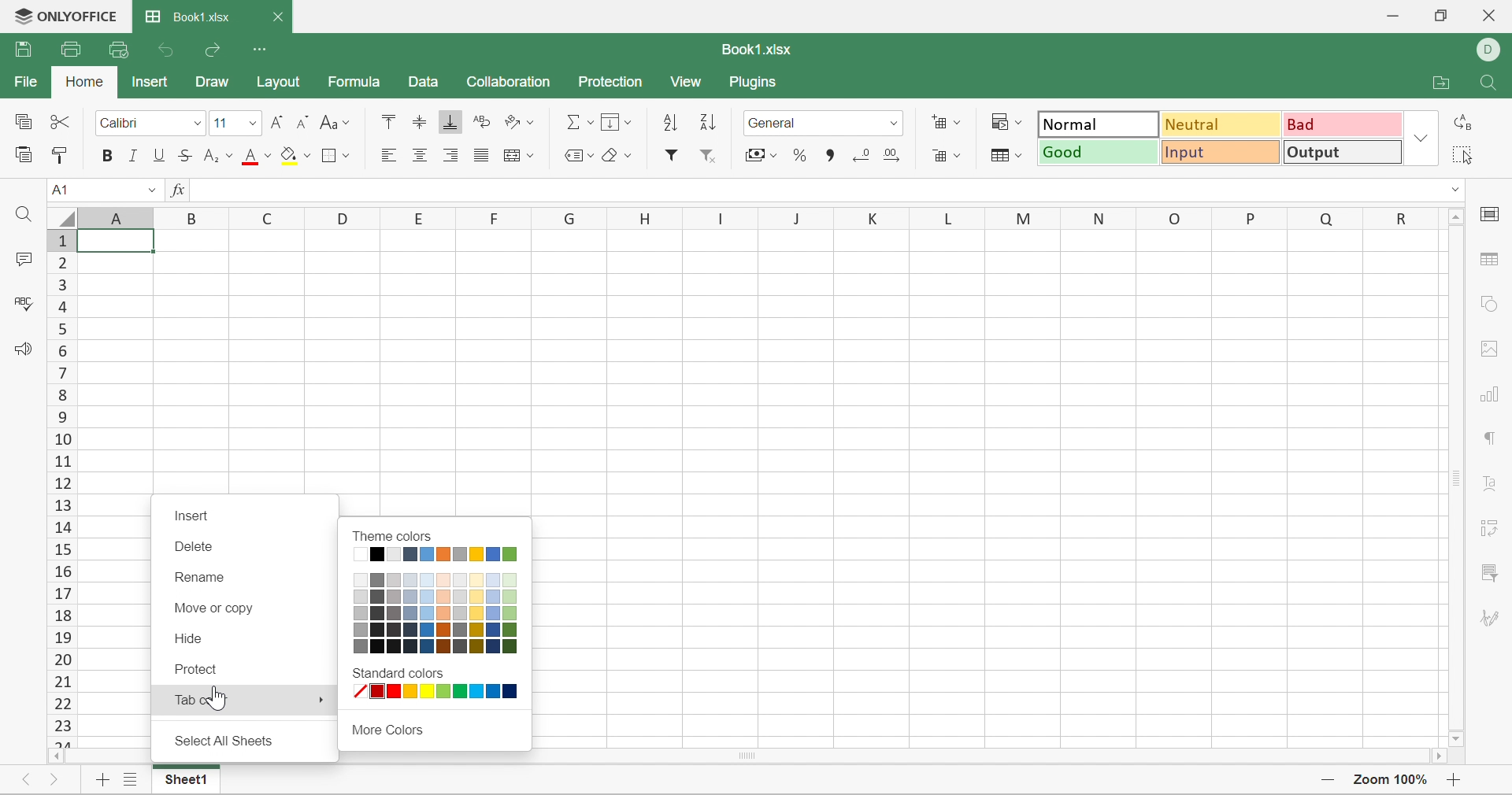 This screenshot has height=795, width=1512. I want to click on 13, so click(65, 506).